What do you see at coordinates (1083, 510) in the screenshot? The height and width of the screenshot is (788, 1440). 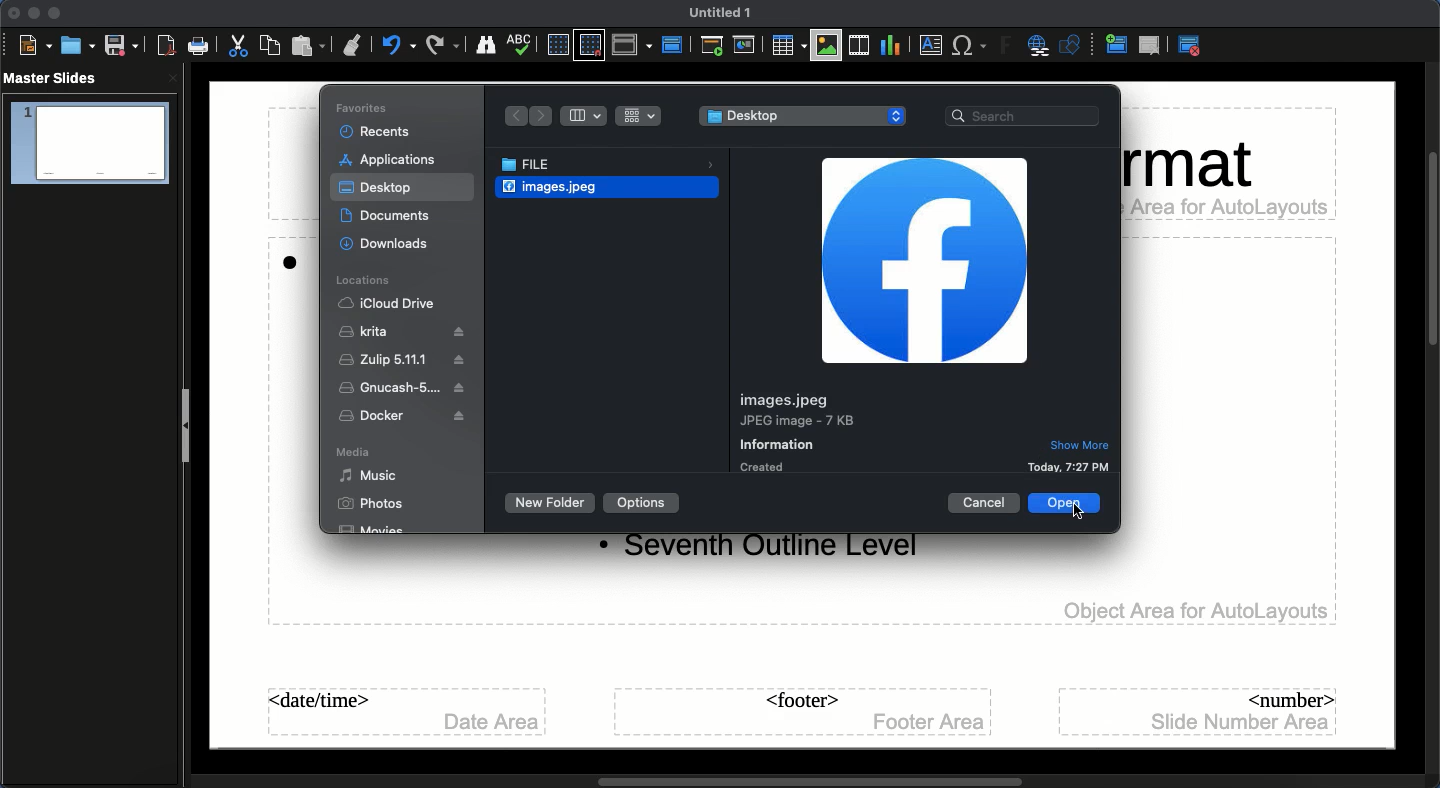 I see `cursor` at bounding box center [1083, 510].